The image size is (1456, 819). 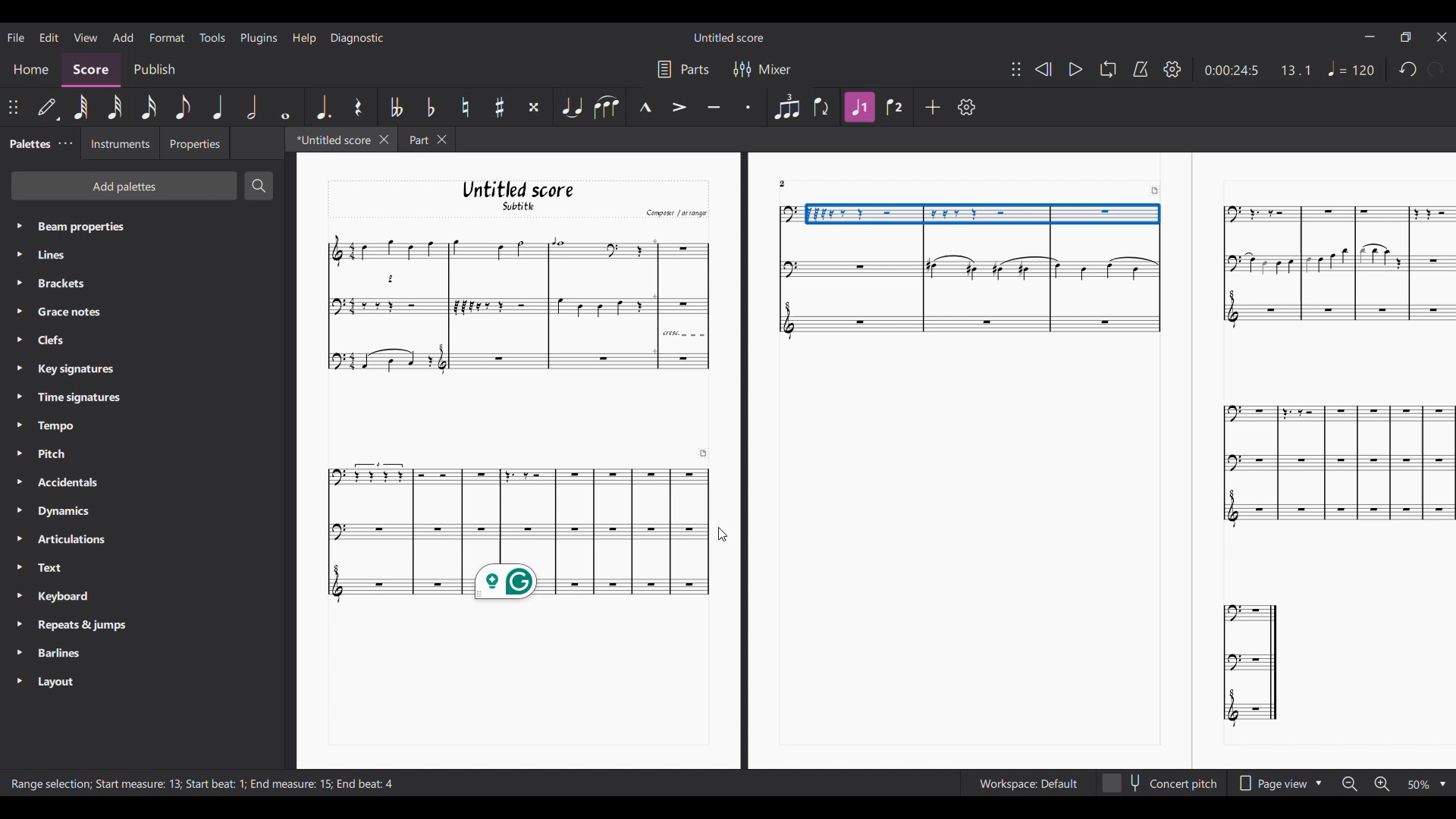 I want to click on Play, so click(x=1076, y=69).